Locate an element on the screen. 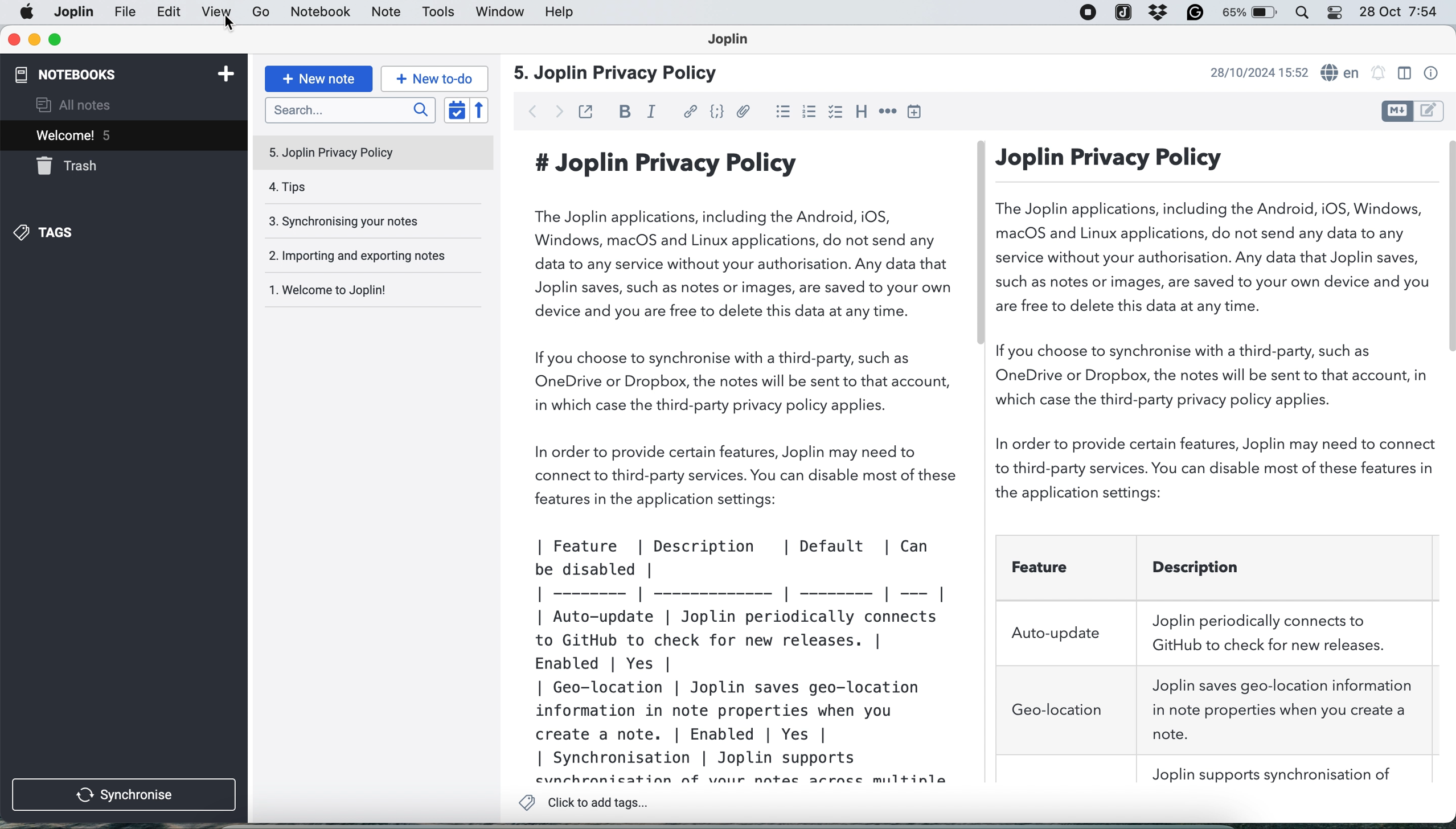 This screenshot has height=829, width=1456. toggle external editing is located at coordinates (586, 112).